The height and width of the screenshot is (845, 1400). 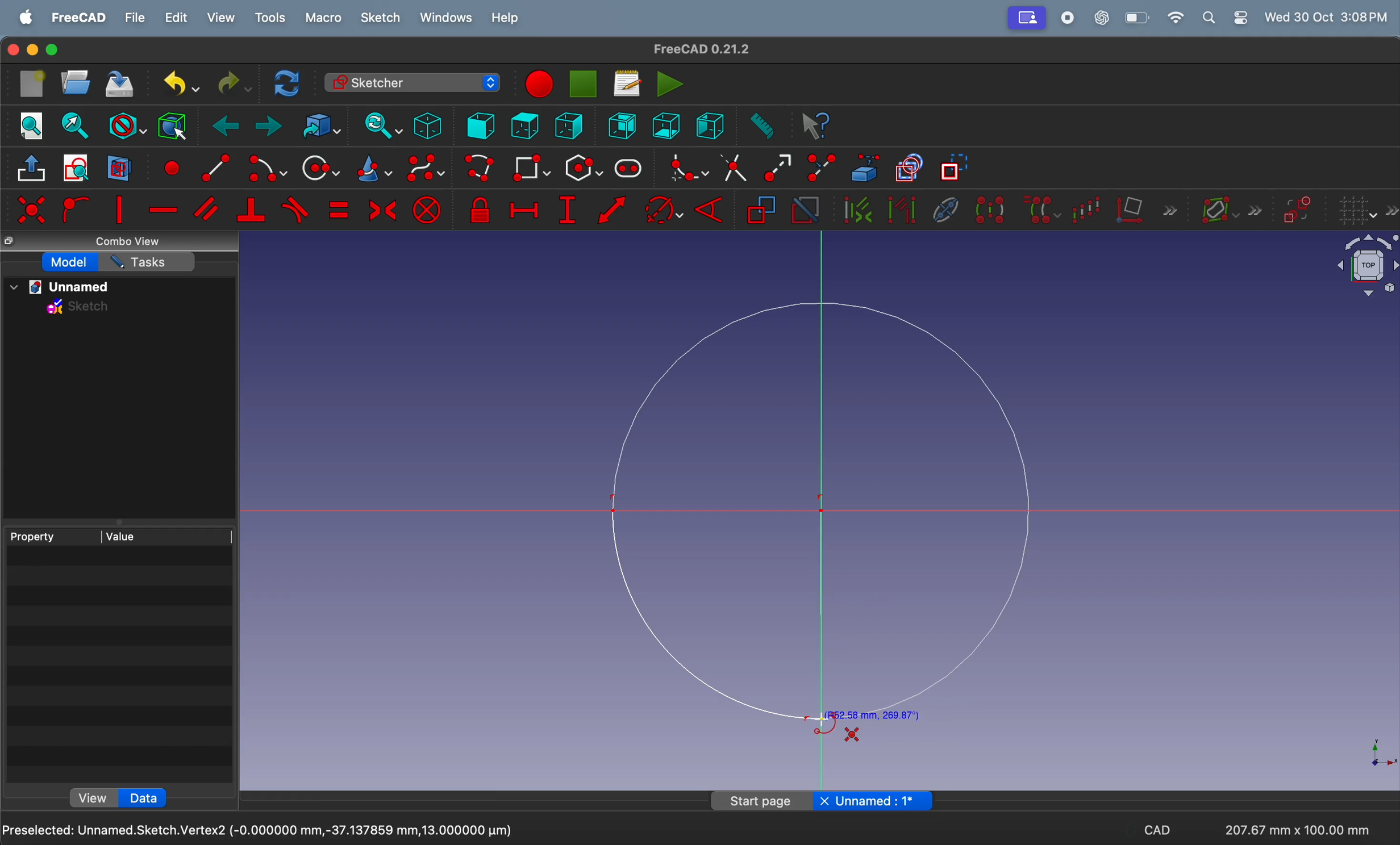 I want to click on create circle, so click(x=320, y=168).